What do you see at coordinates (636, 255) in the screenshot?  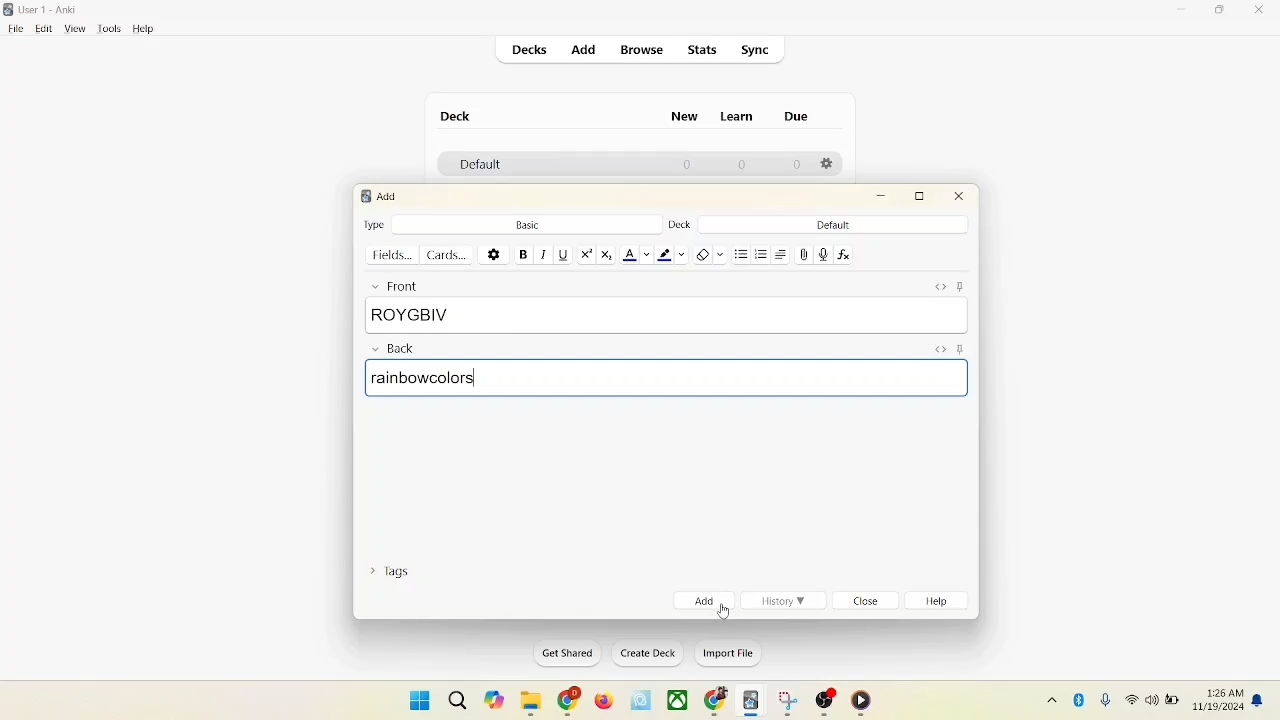 I see `text color` at bounding box center [636, 255].